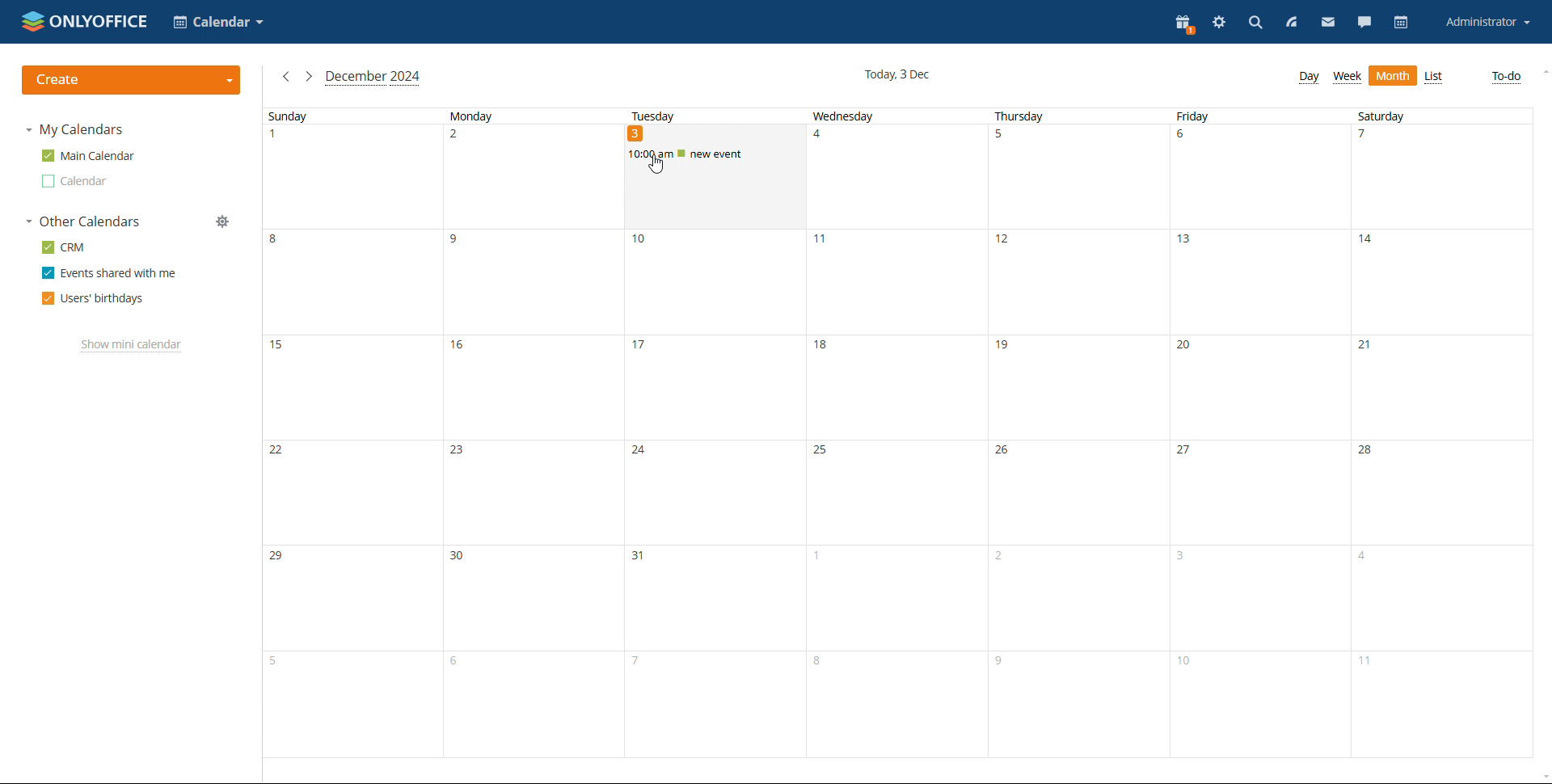 The image size is (1552, 784). What do you see at coordinates (353, 281) in the screenshot?
I see `8` at bounding box center [353, 281].